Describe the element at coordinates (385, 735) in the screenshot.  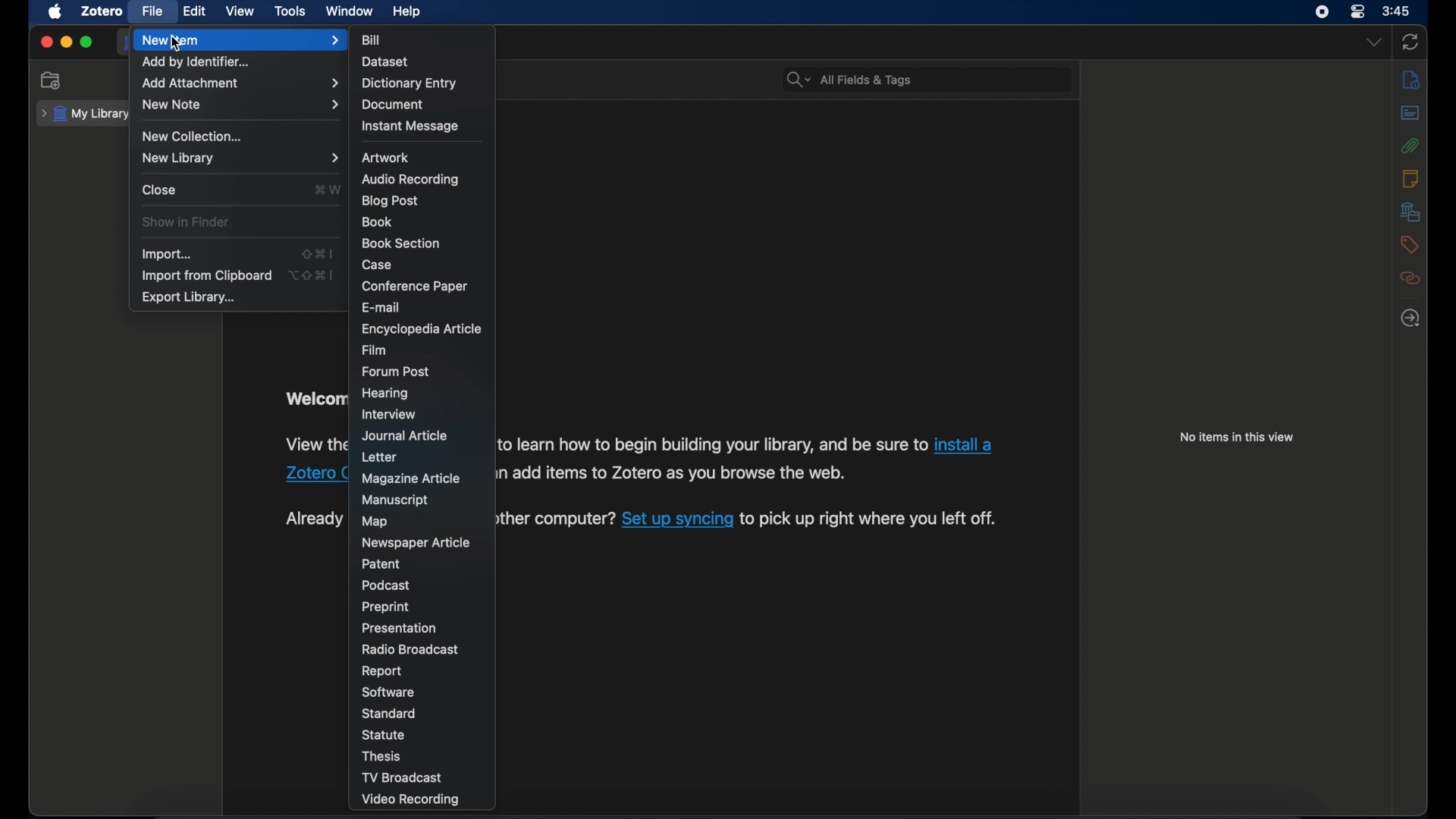
I see `statue` at that location.